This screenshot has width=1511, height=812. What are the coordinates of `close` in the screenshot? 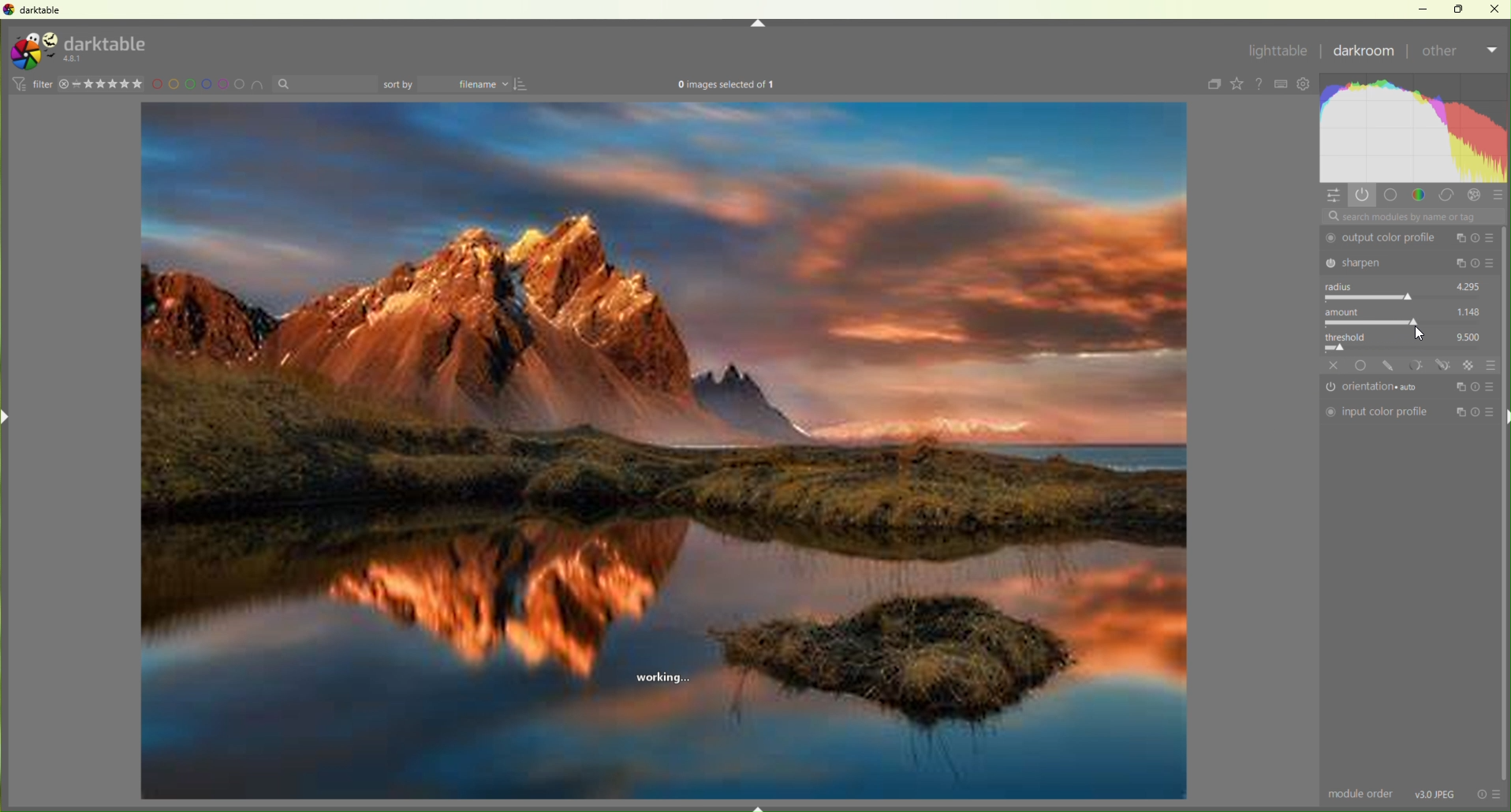 It's located at (1495, 8).